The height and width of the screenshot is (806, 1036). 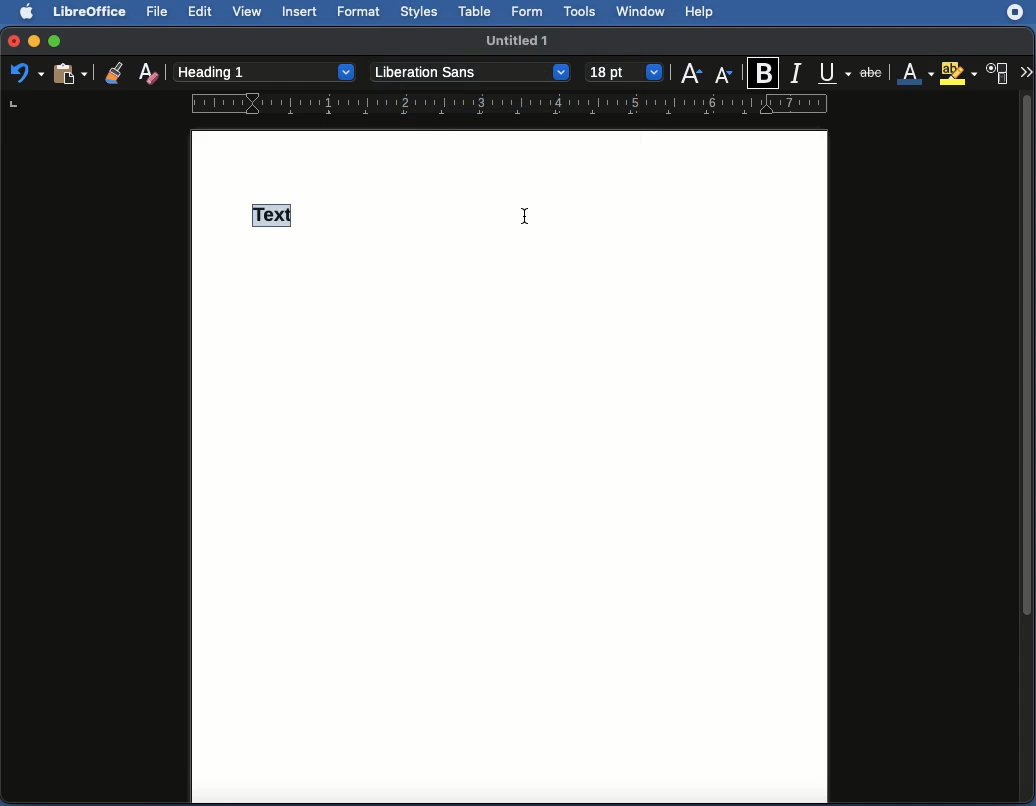 I want to click on Apple logo, so click(x=32, y=13).